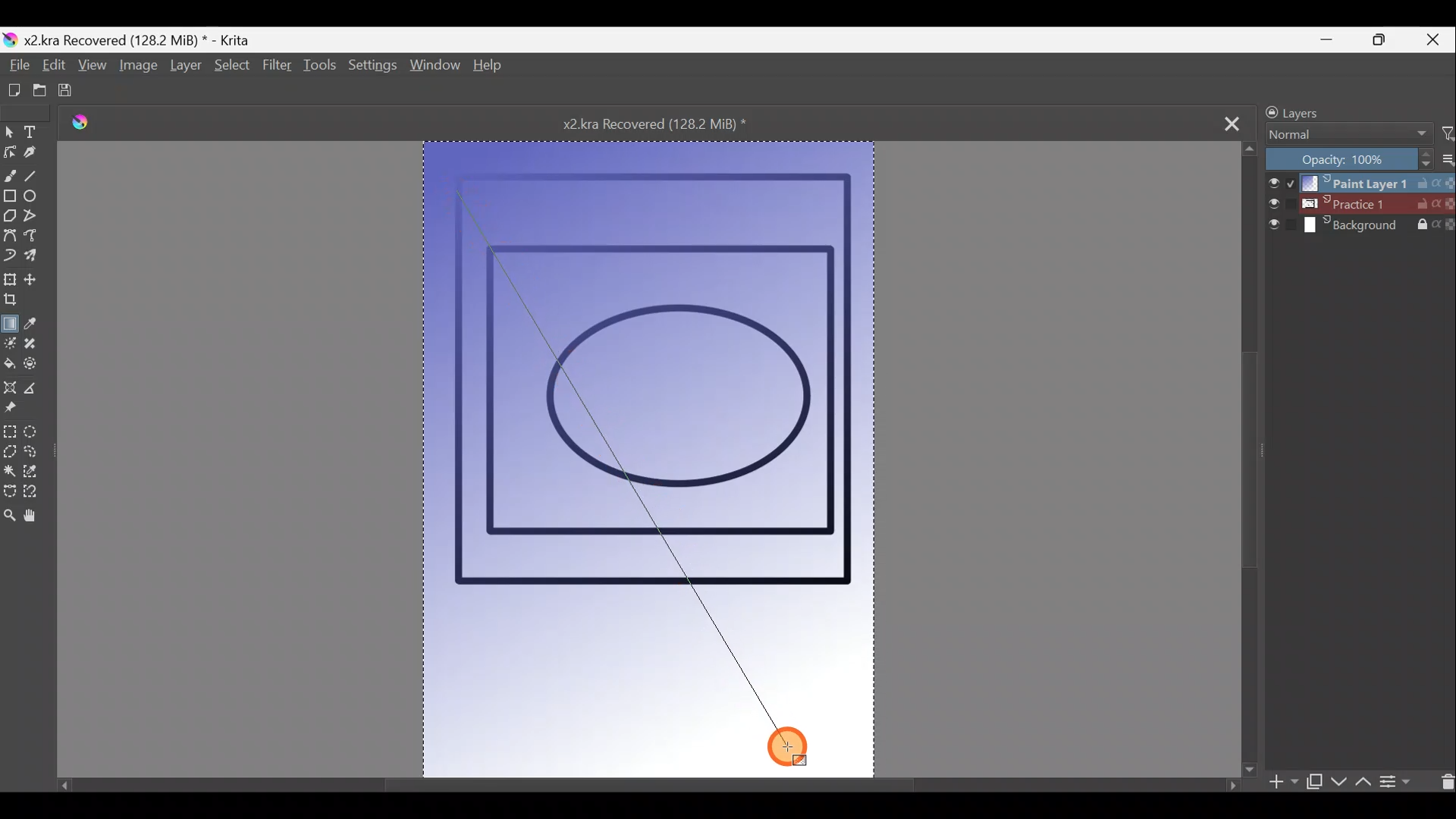  I want to click on Cursor, so click(789, 748).